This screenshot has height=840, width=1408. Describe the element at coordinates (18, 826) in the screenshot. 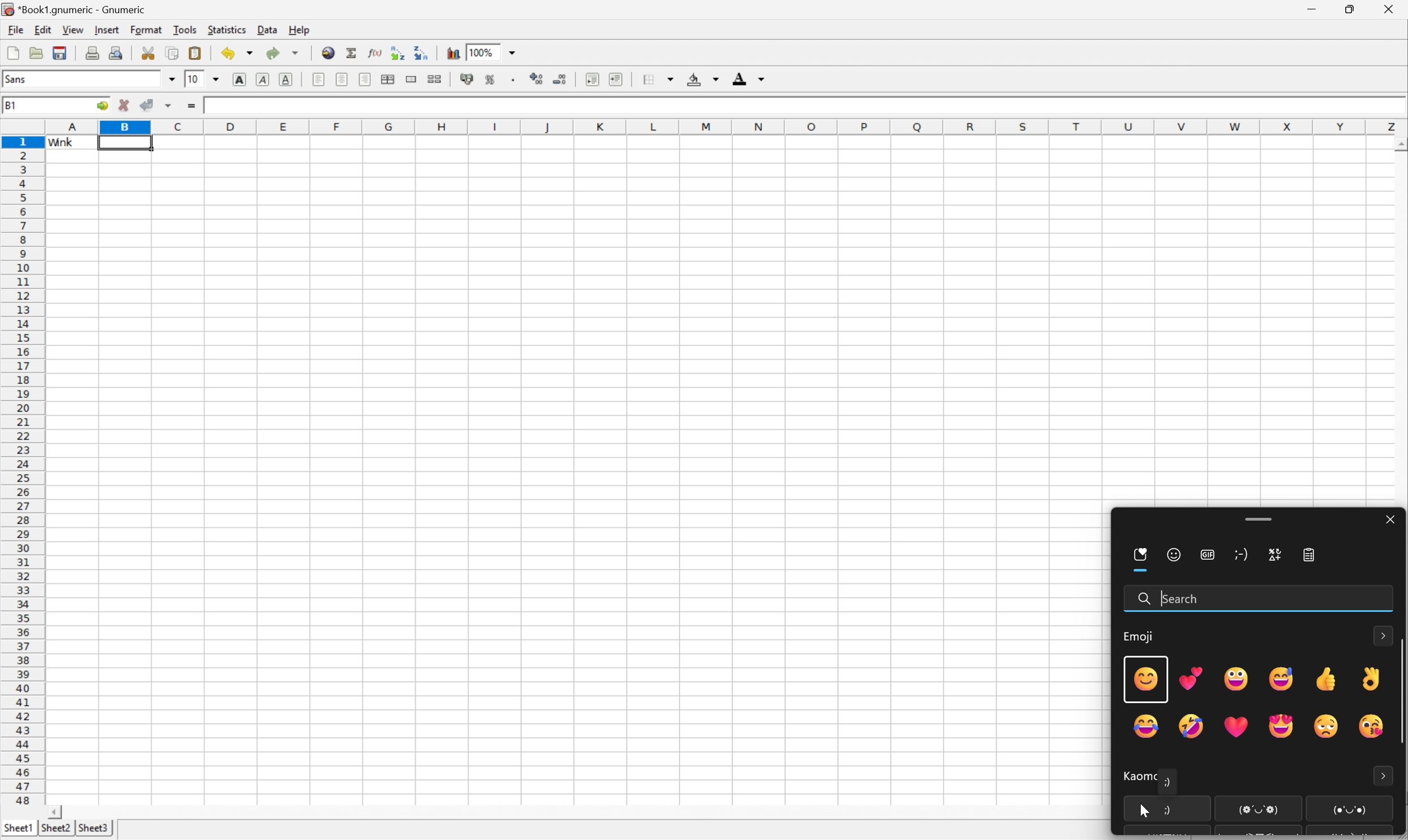

I see `sheet1` at that location.